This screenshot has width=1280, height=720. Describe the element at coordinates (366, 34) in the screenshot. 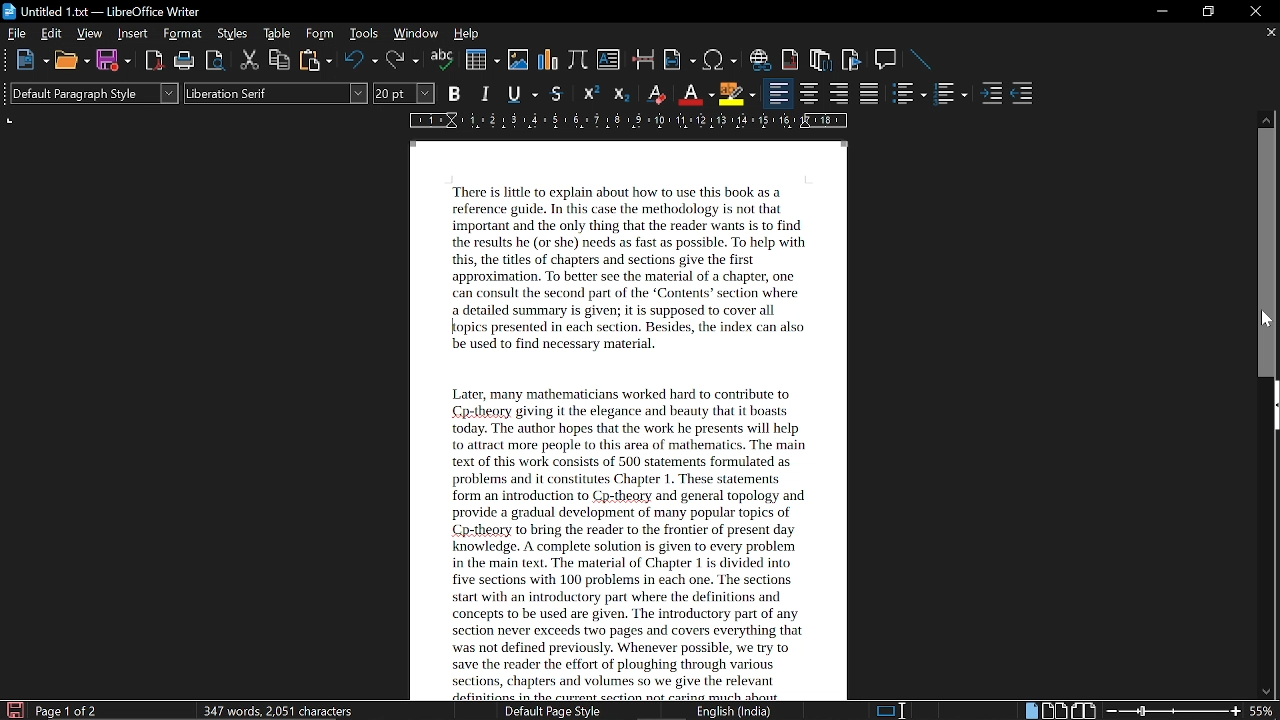

I see `tools` at that location.